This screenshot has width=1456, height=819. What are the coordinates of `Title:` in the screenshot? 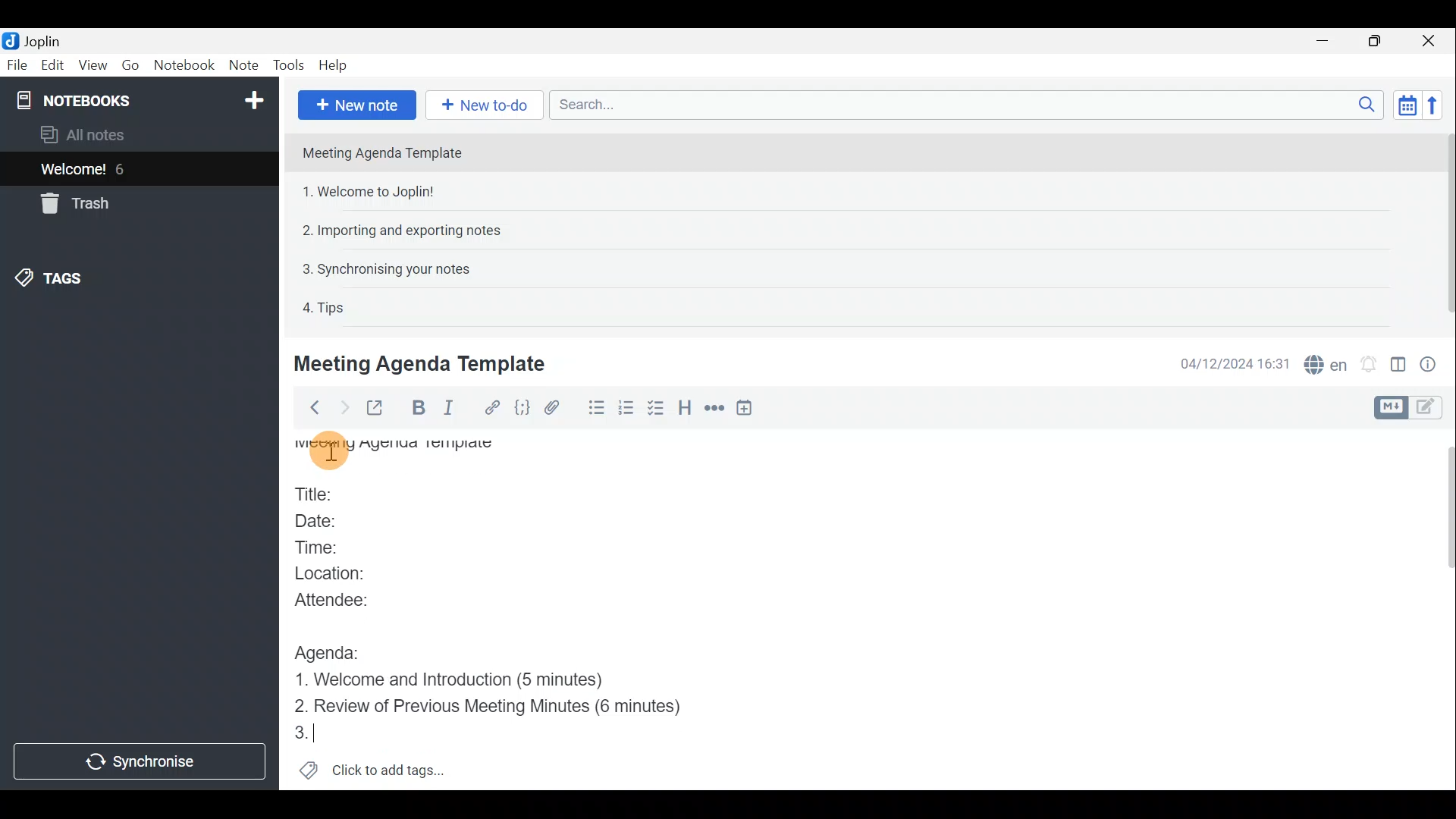 It's located at (322, 495).